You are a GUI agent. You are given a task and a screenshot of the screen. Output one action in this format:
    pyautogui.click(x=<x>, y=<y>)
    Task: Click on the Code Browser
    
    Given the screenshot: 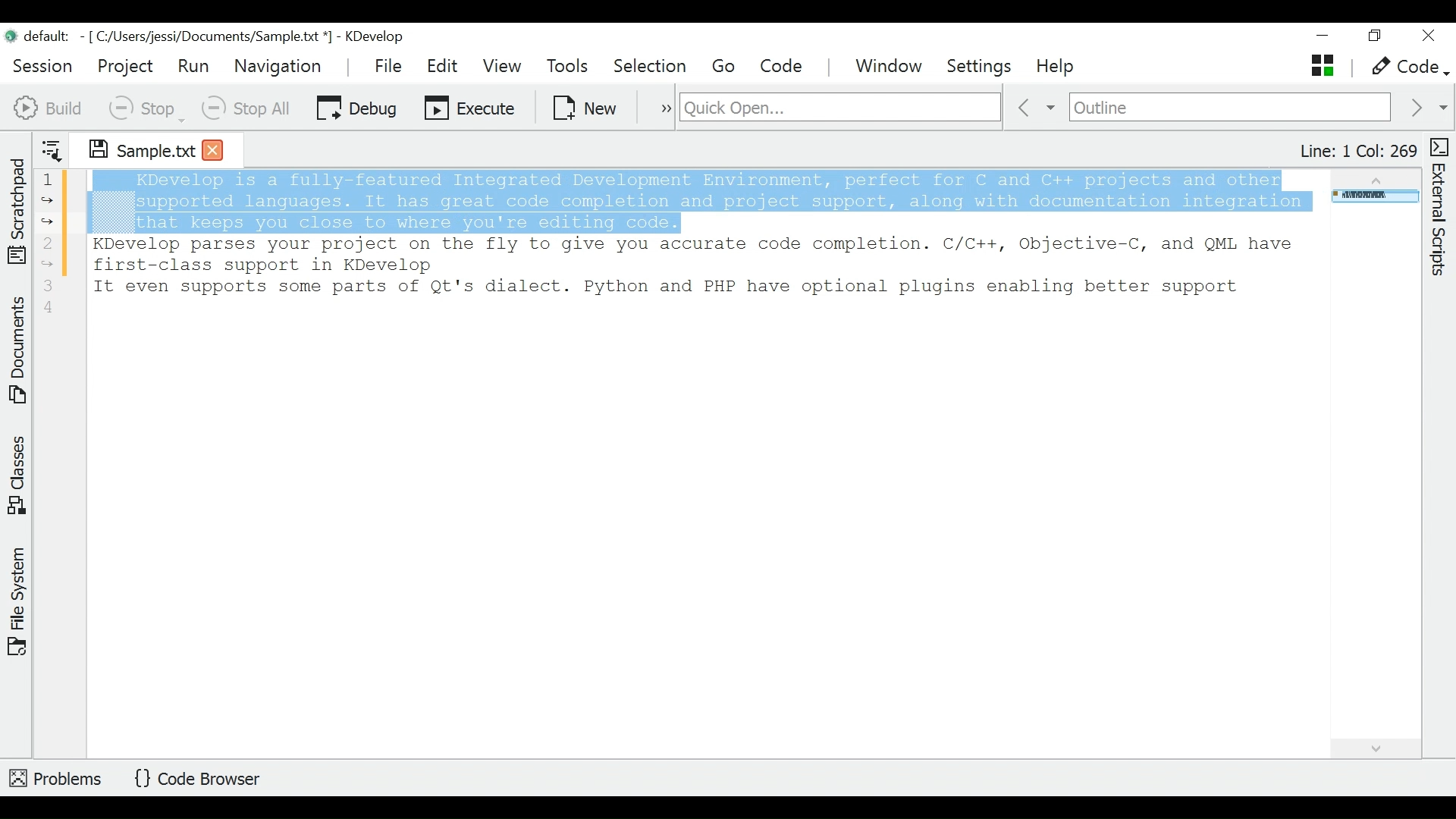 What is the action you would take?
    pyautogui.click(x=202, y=780)
    